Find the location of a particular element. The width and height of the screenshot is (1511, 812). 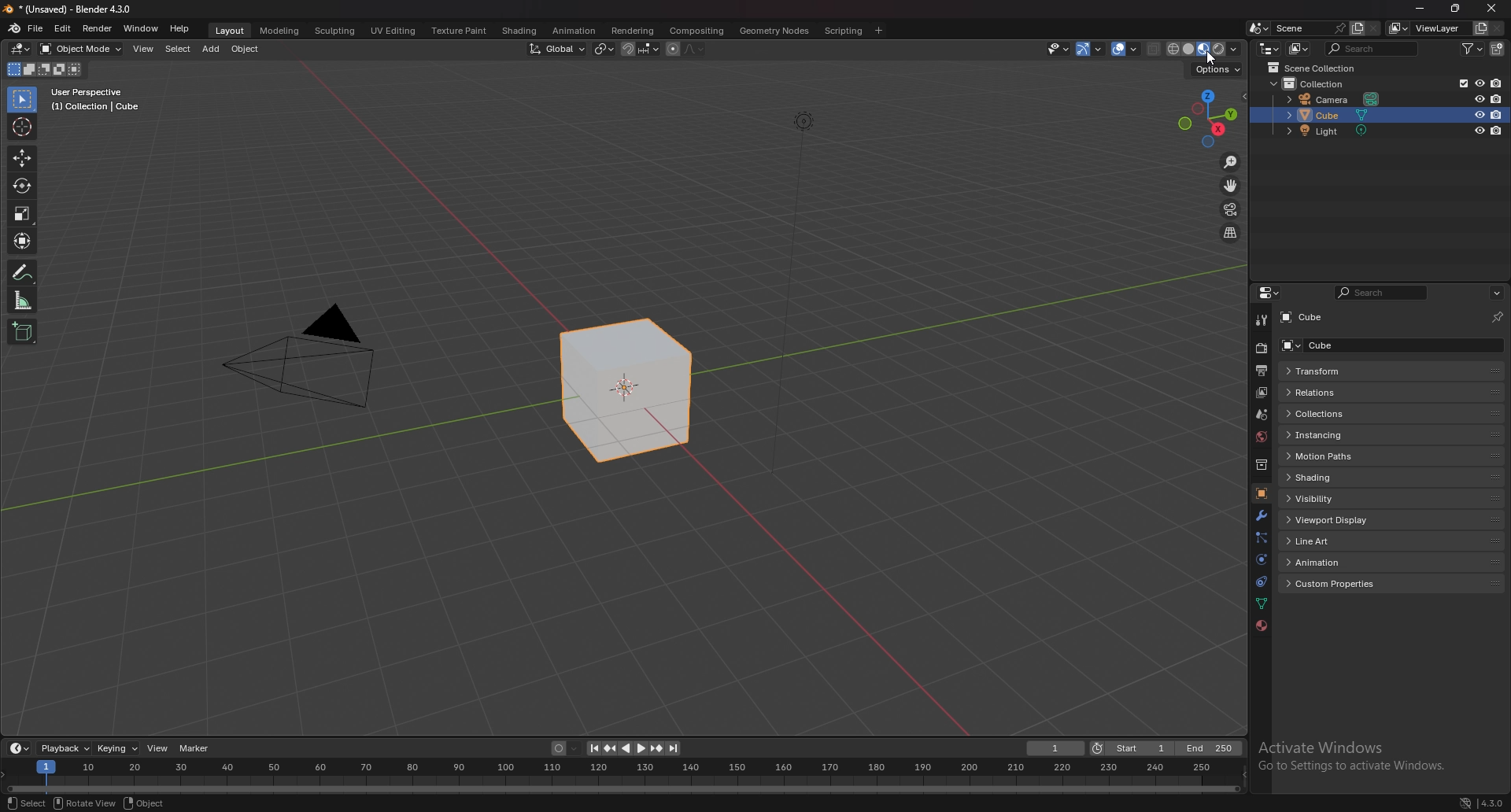

resize is located at coordinates (1454, 9).